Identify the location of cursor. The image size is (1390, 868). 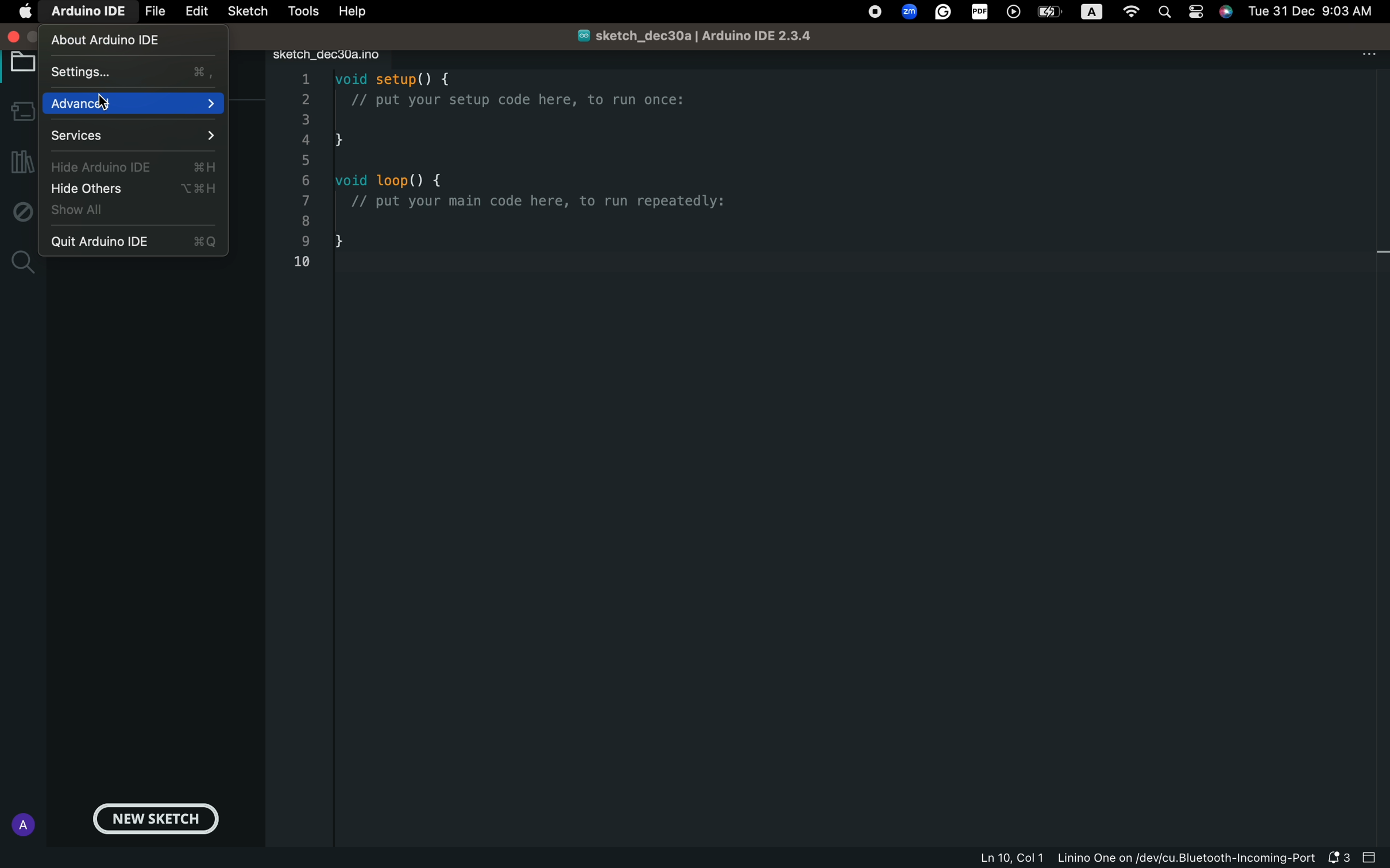
(107, 102).